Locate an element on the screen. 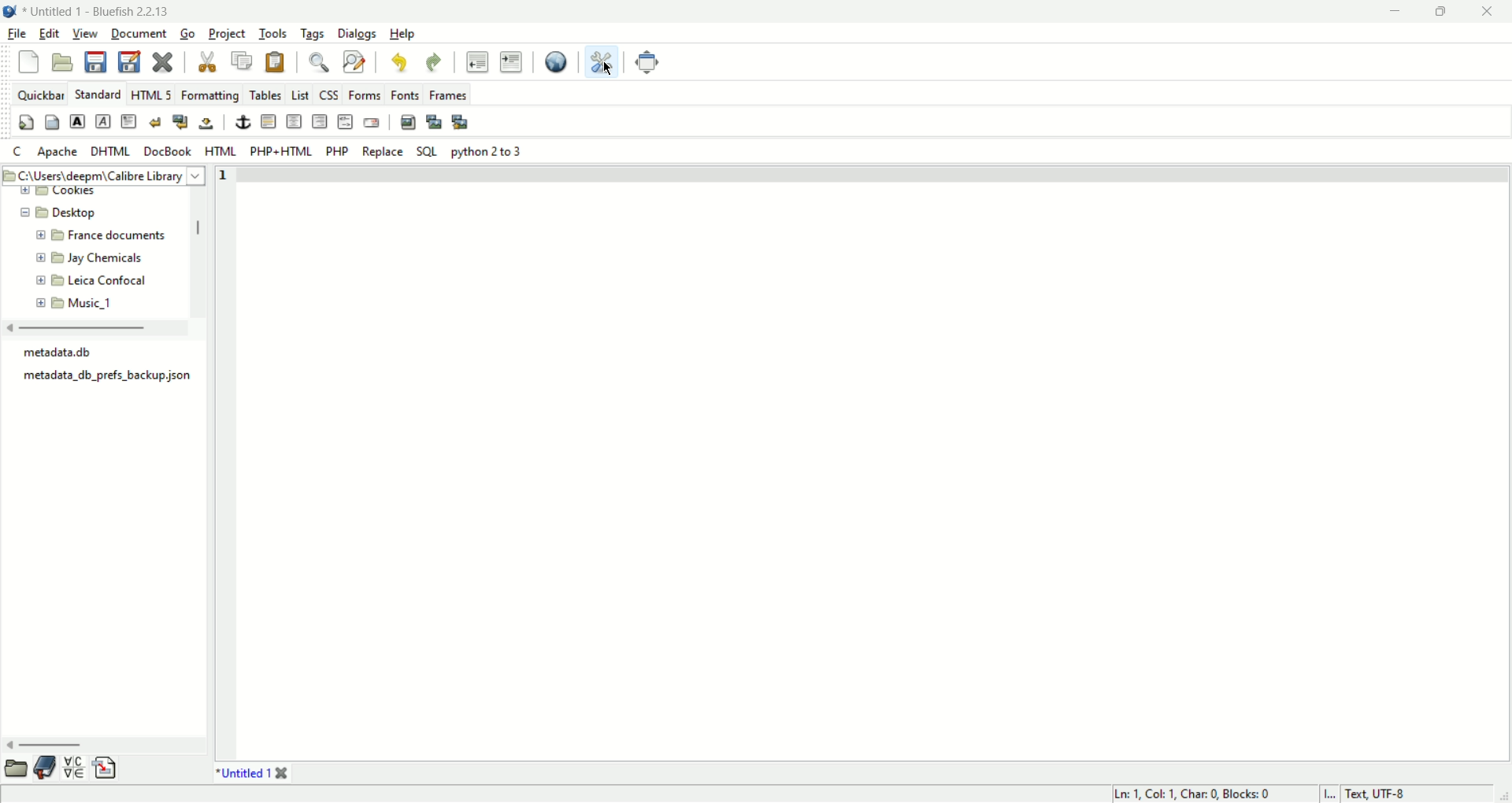  cut is located at coordinates (208, 63).